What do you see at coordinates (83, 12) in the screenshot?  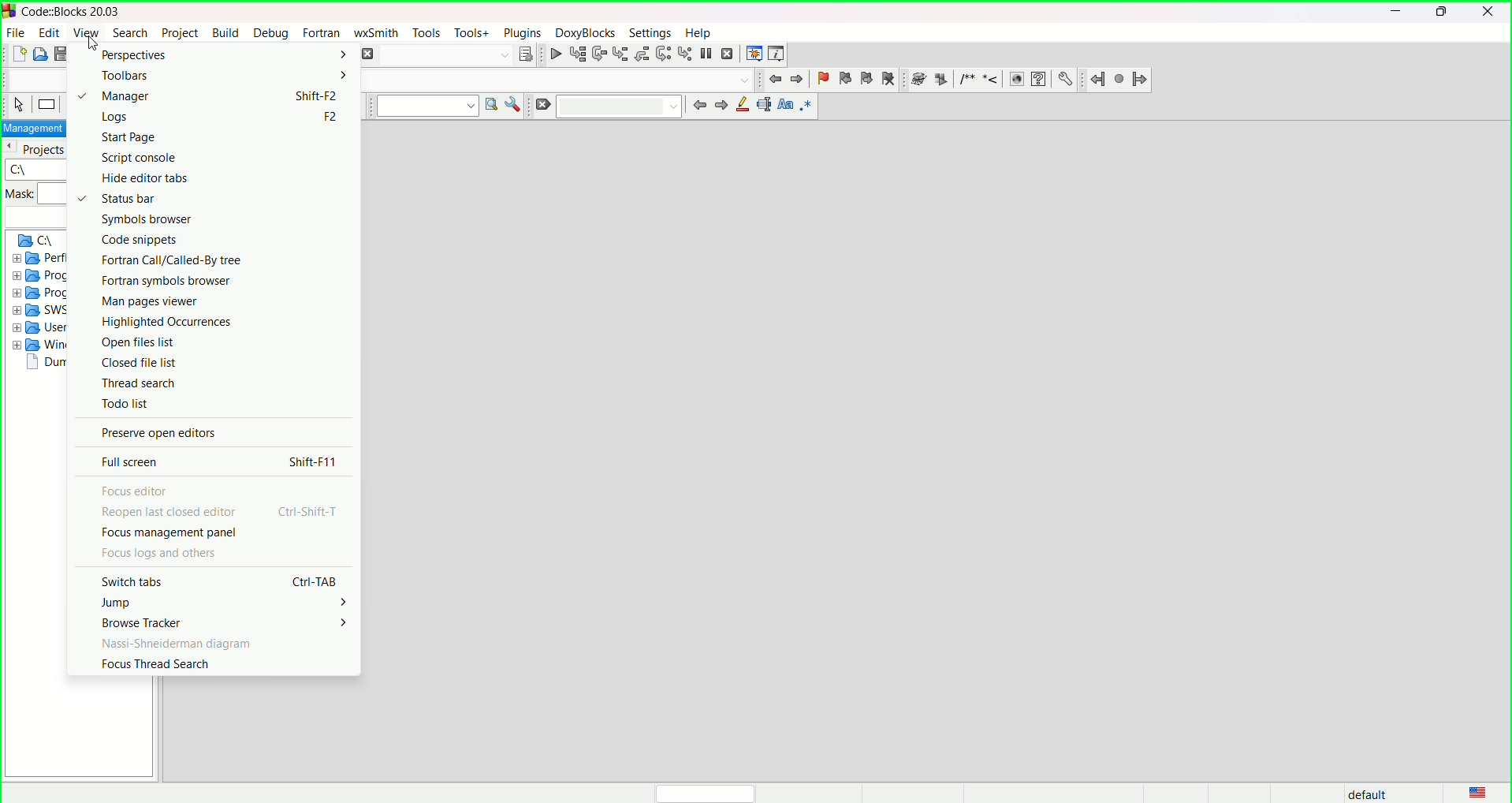 I see `CodeBlocks::20.03` at bounding box center [83, 12].